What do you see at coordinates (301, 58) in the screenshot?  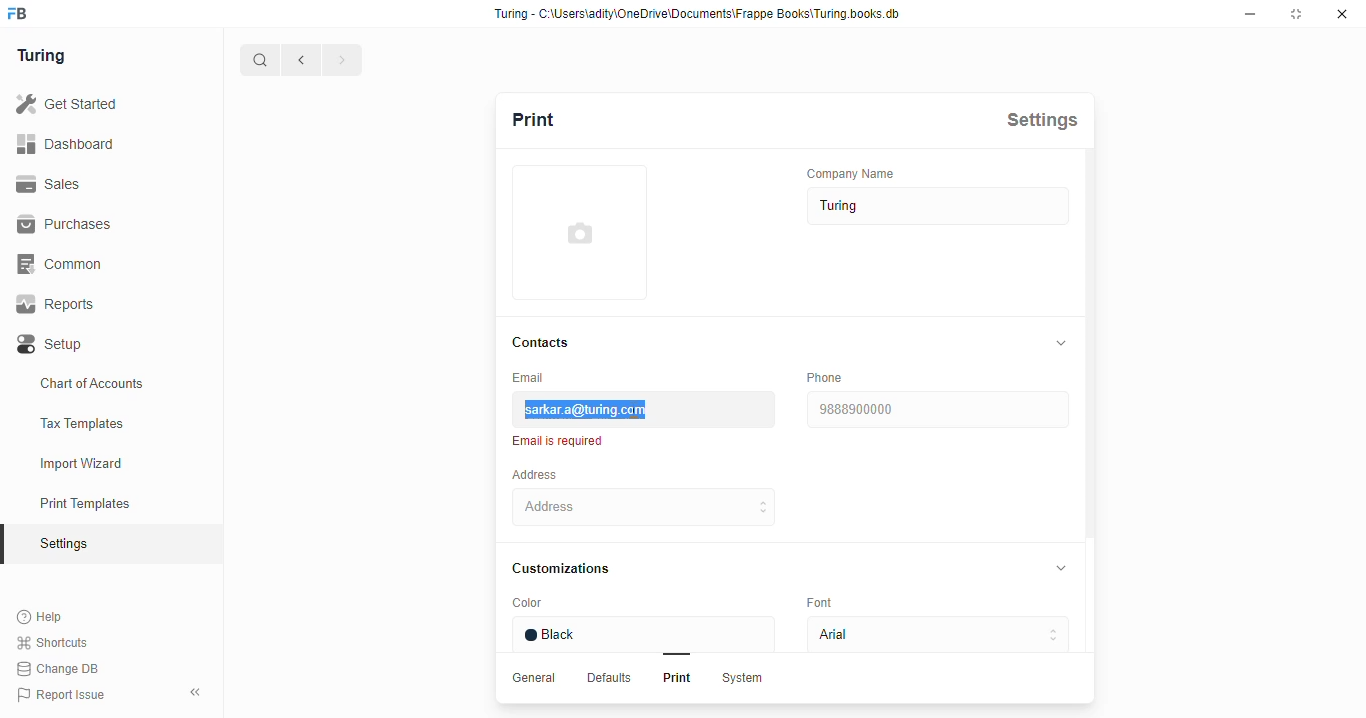 I see `go back` at bounding box center [301, 58].